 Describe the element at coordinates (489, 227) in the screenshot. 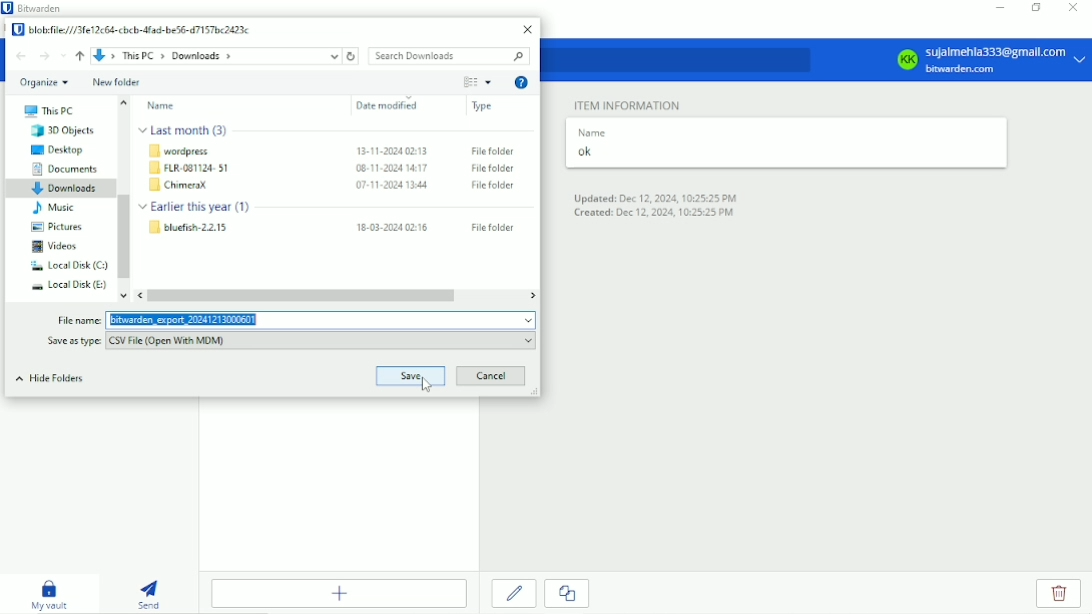

I see `File folder` at that location.